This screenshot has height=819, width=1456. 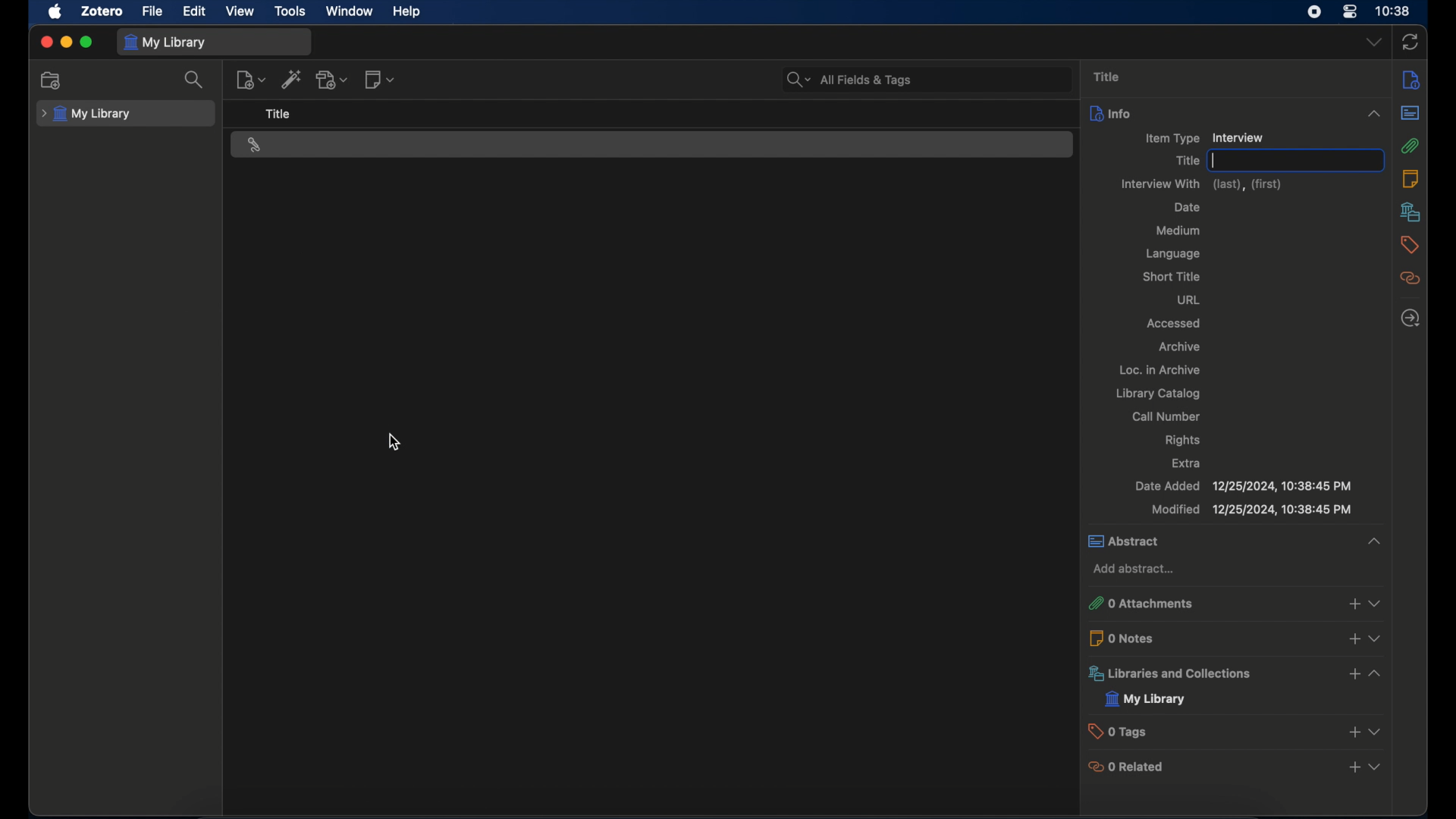 What do you see at coordinates (1178, 347) in the screenshot?
I see `archive` at bounding box center [1178, 347].